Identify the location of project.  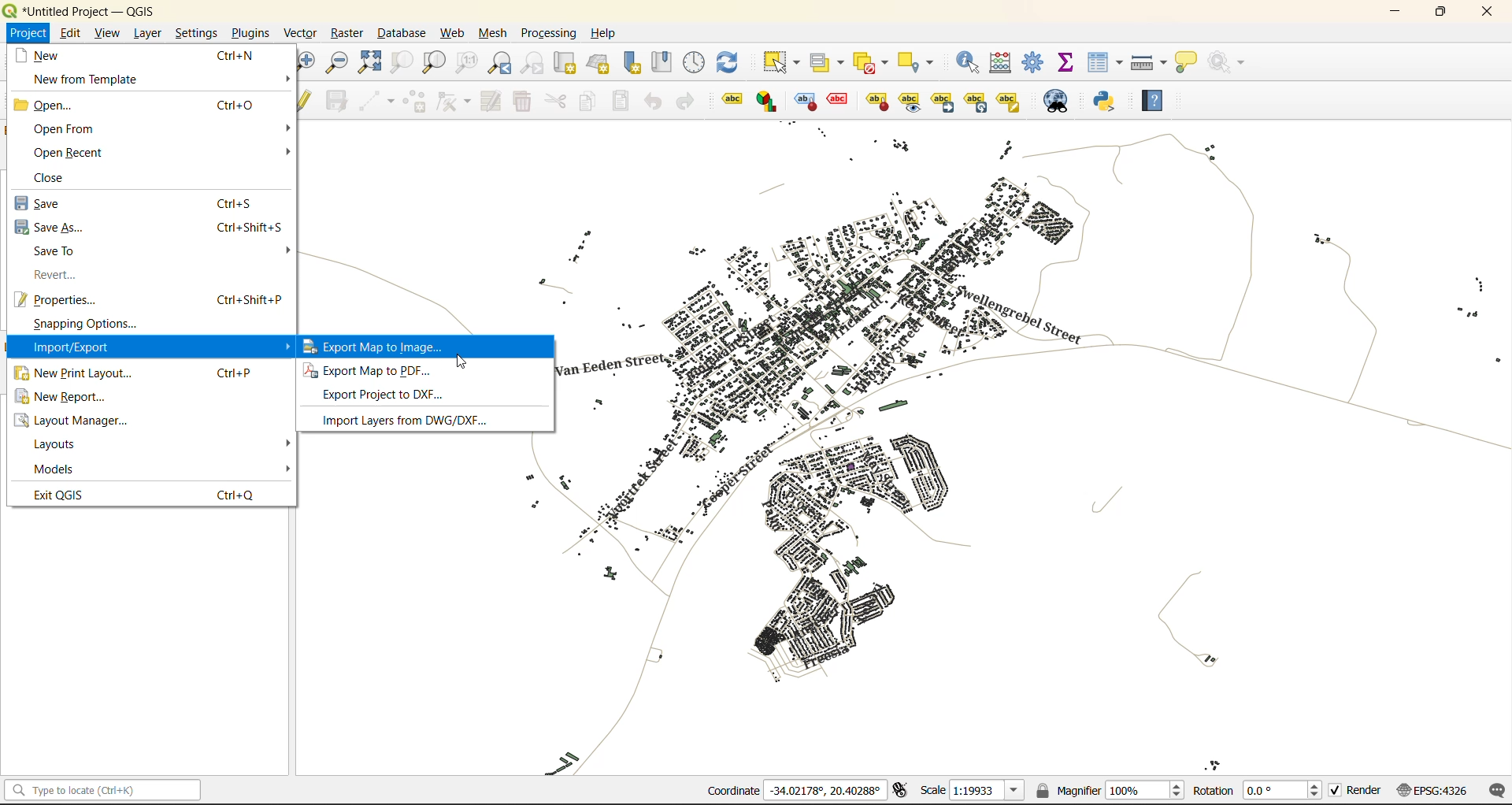
(27, 32).